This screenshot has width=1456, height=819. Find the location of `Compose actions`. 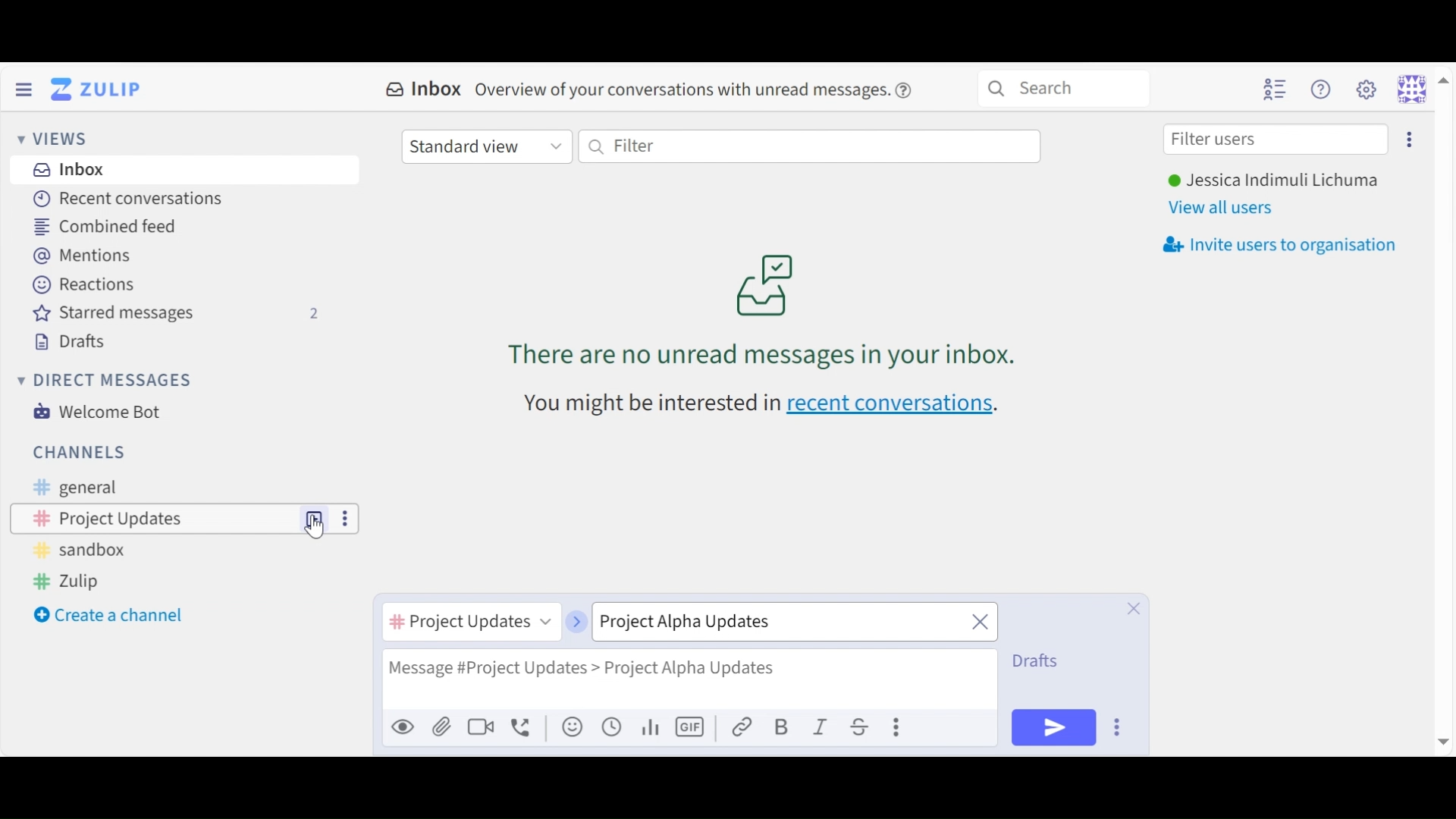

Compose actions is located at coordinates (898, 726).